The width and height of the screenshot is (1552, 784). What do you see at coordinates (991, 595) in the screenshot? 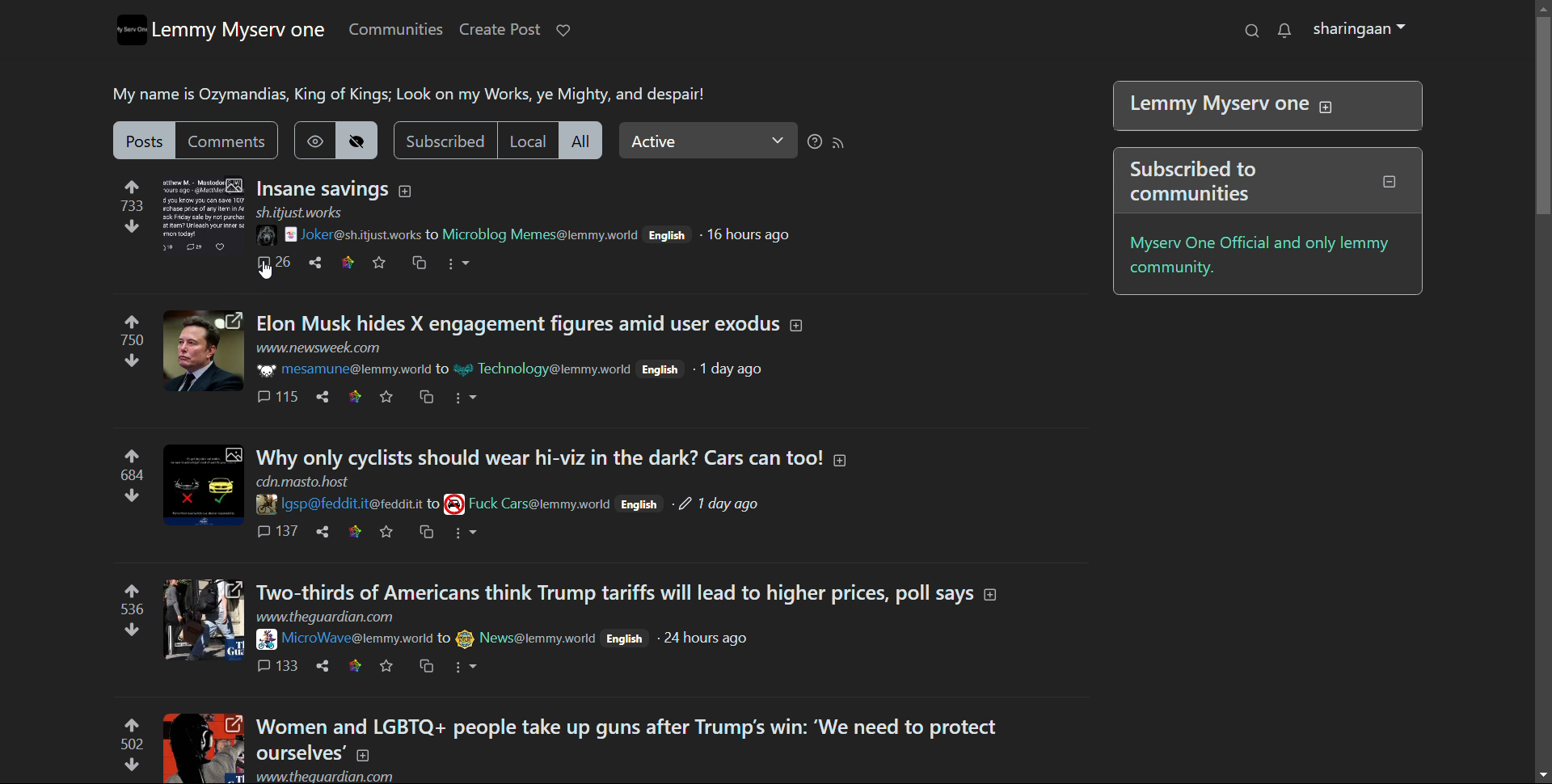
I see `expand` at bounding box center [991, 595].